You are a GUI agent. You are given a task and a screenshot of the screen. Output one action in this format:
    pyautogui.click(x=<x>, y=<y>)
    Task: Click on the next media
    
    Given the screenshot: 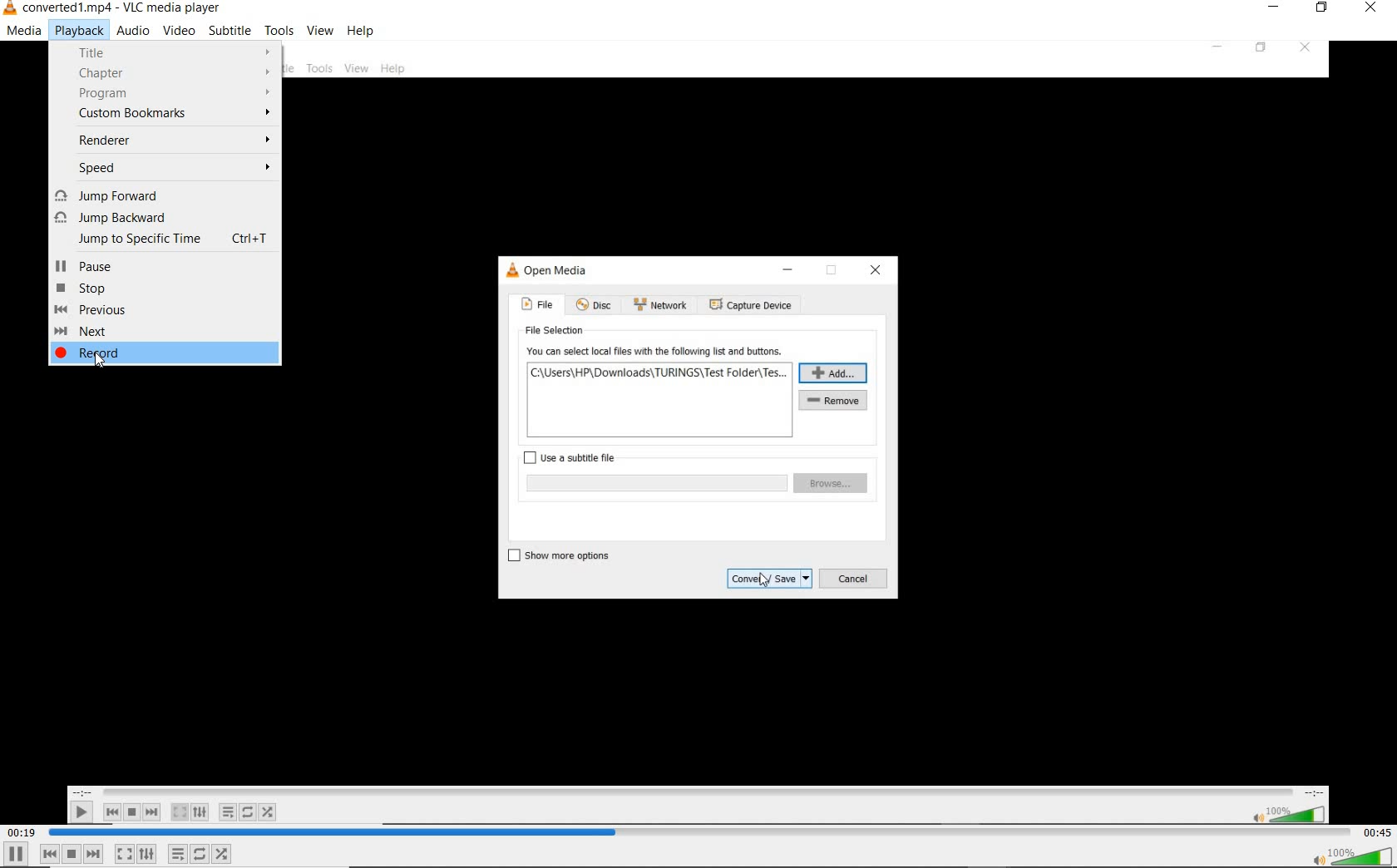 What is the action you would take?
    pyautogui.click(x=93, y=854)
    